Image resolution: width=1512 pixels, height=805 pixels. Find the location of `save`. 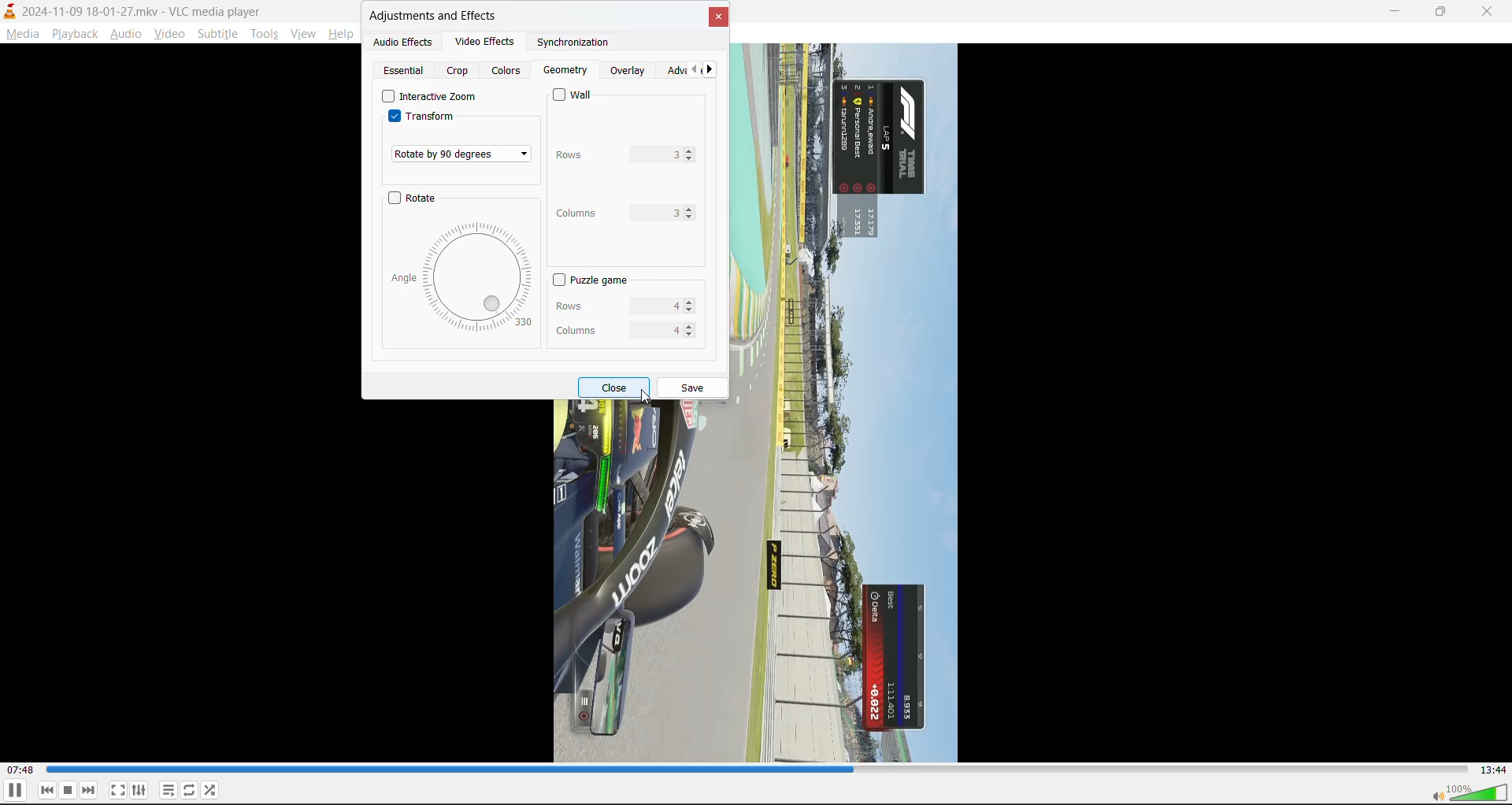

save is located at coordinates (695, 387).